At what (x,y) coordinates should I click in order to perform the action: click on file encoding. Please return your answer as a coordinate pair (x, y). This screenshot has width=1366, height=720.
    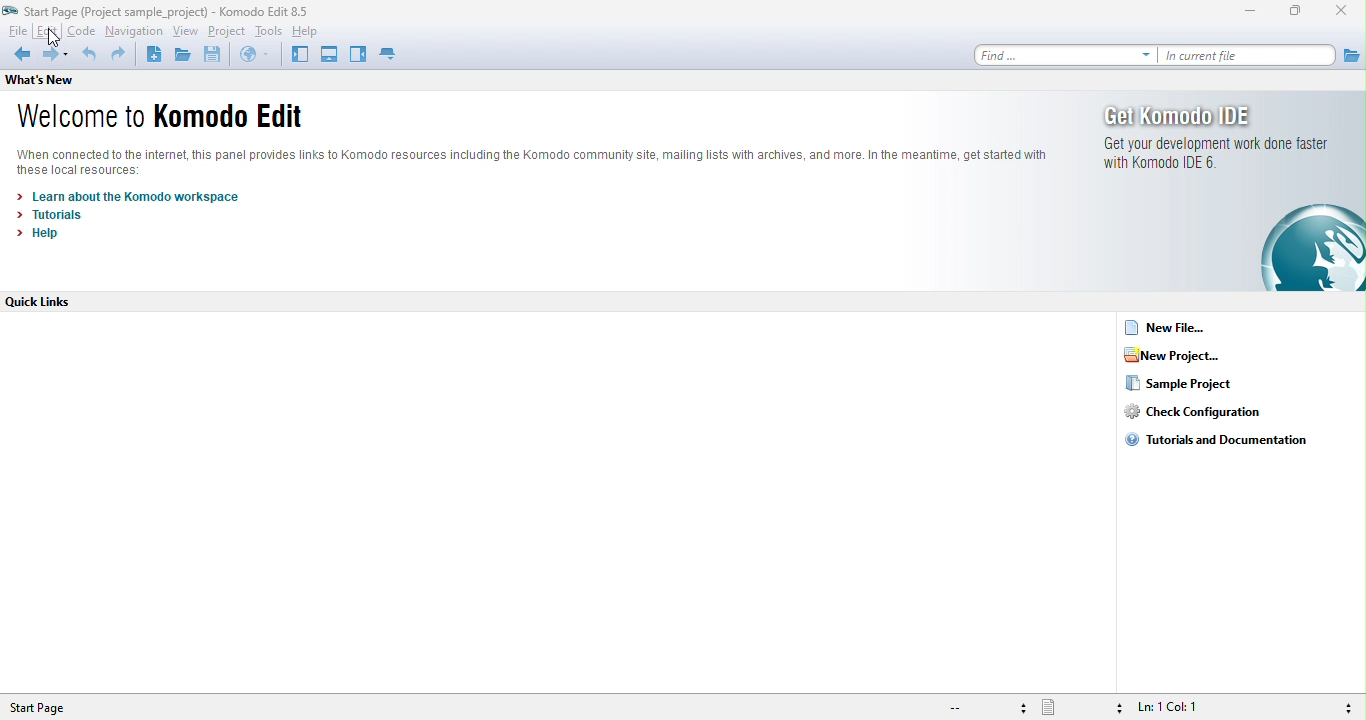
    Looking at the image, I should click on (985, 708).